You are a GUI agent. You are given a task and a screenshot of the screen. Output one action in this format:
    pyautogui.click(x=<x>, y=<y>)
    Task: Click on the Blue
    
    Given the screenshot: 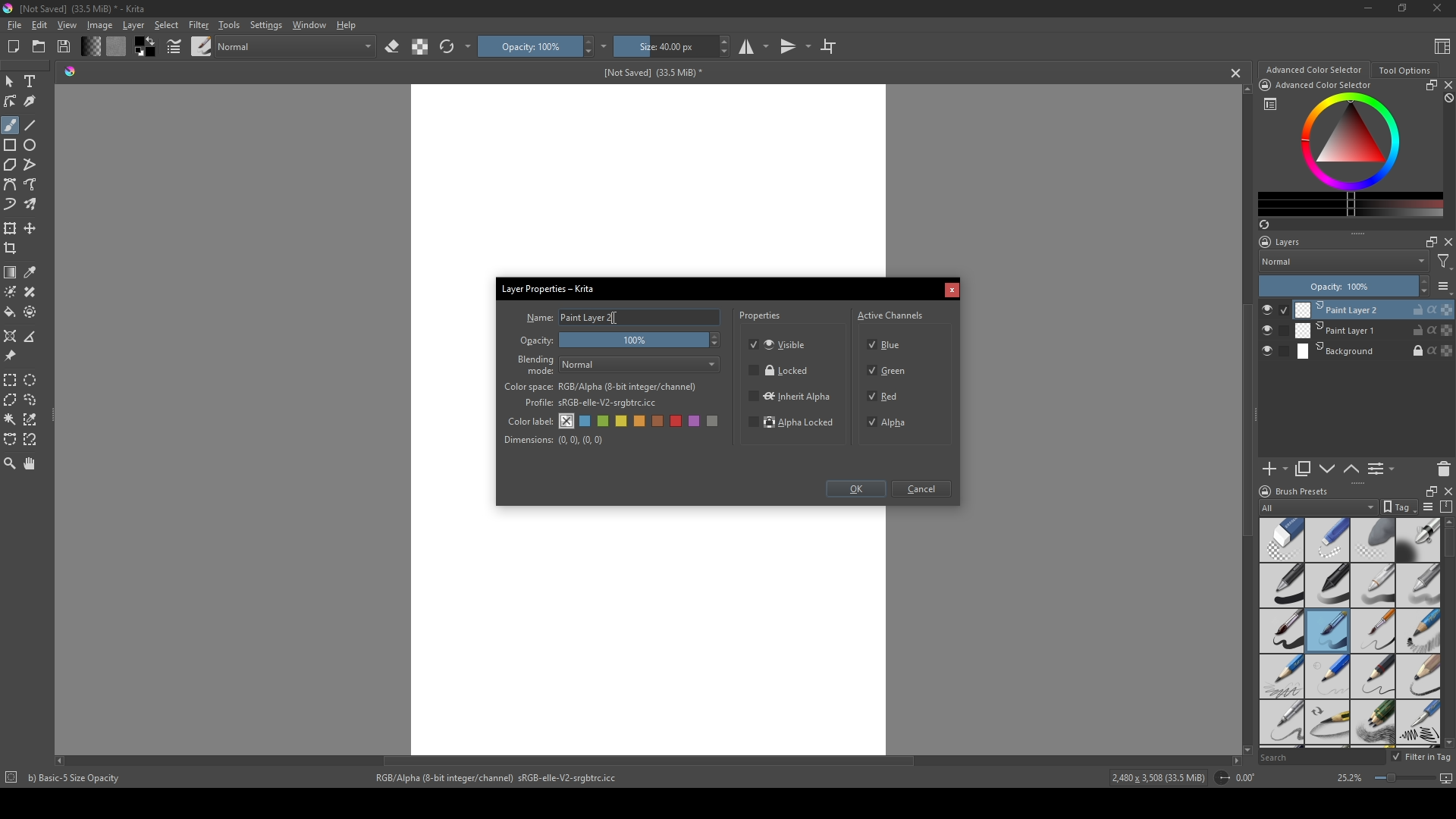 What is the action you would take?
    pyautogui.click(x=888, y=343)
    